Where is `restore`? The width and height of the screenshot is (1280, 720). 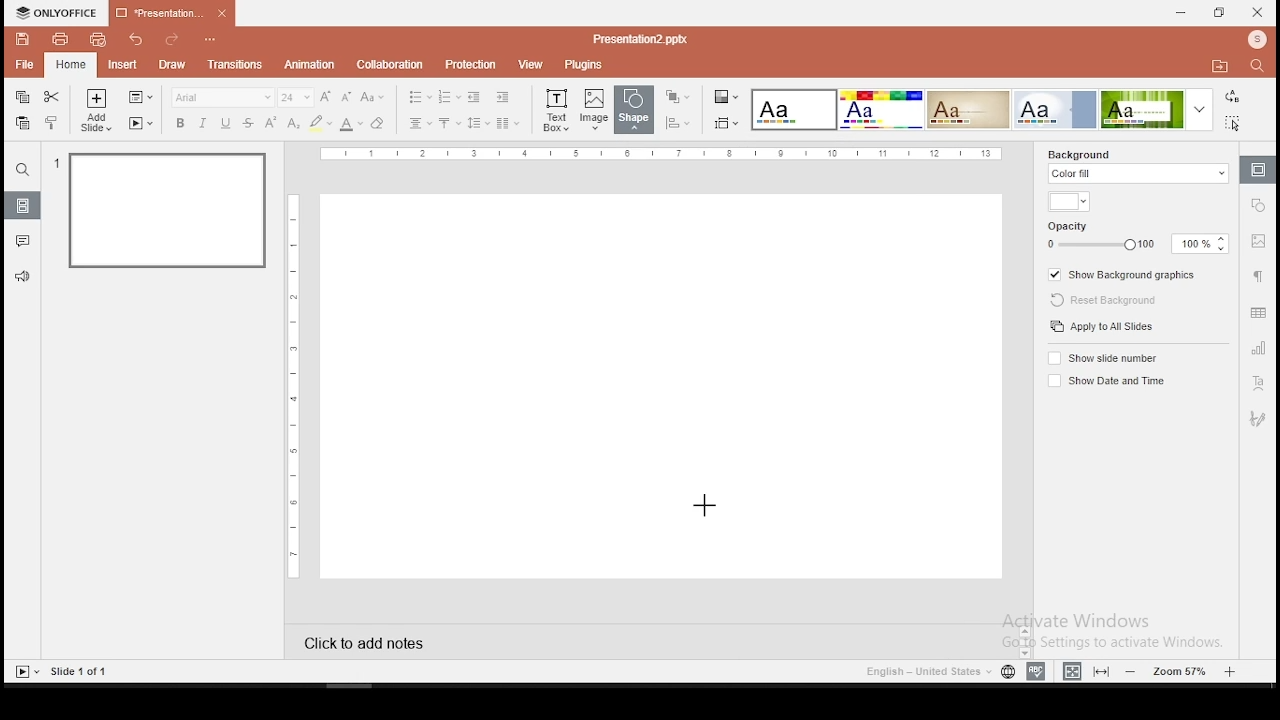 restore is located at coordinates (1220, 13).